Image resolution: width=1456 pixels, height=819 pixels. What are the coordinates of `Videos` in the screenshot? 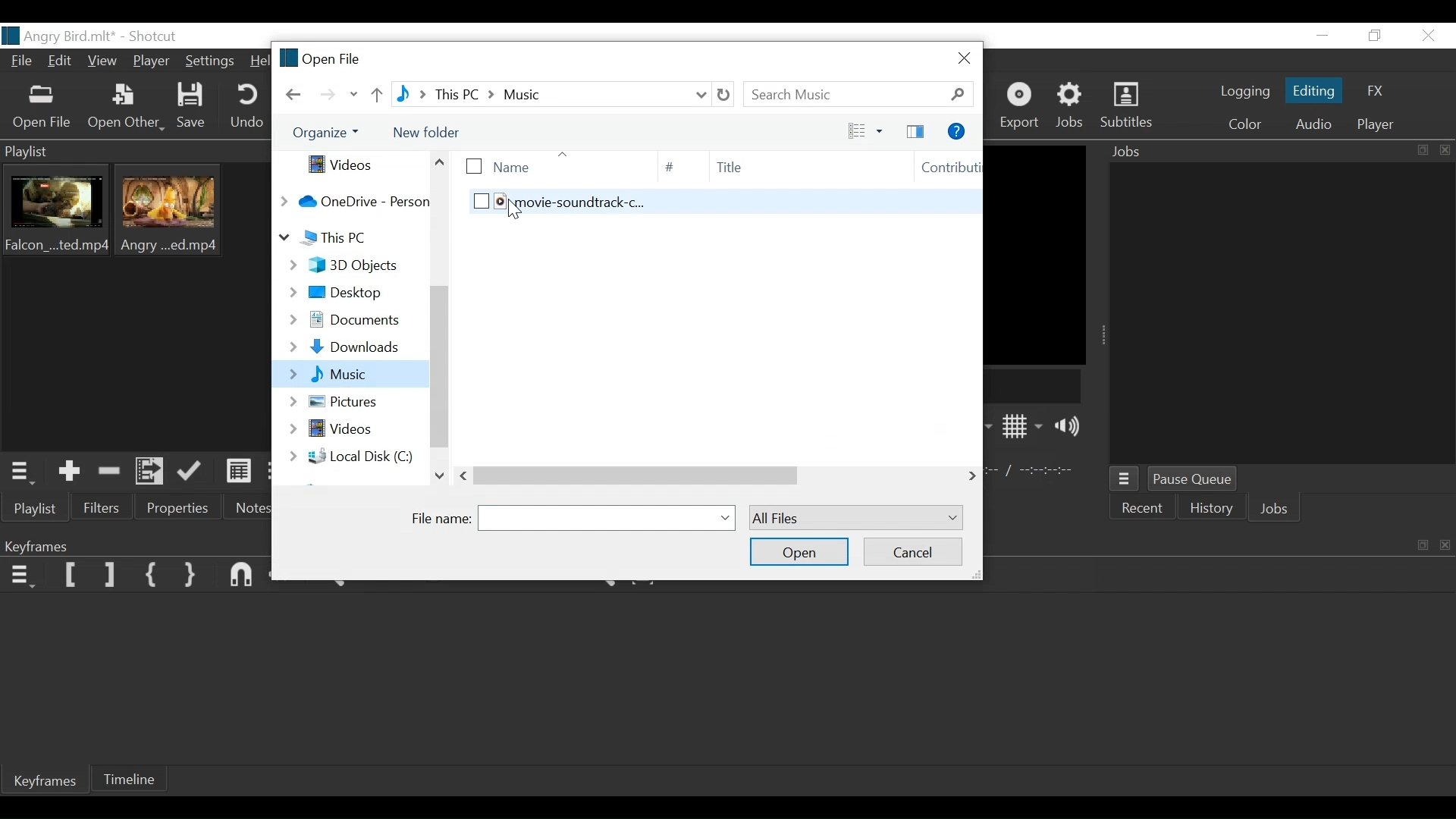 It's located at (353, 165).